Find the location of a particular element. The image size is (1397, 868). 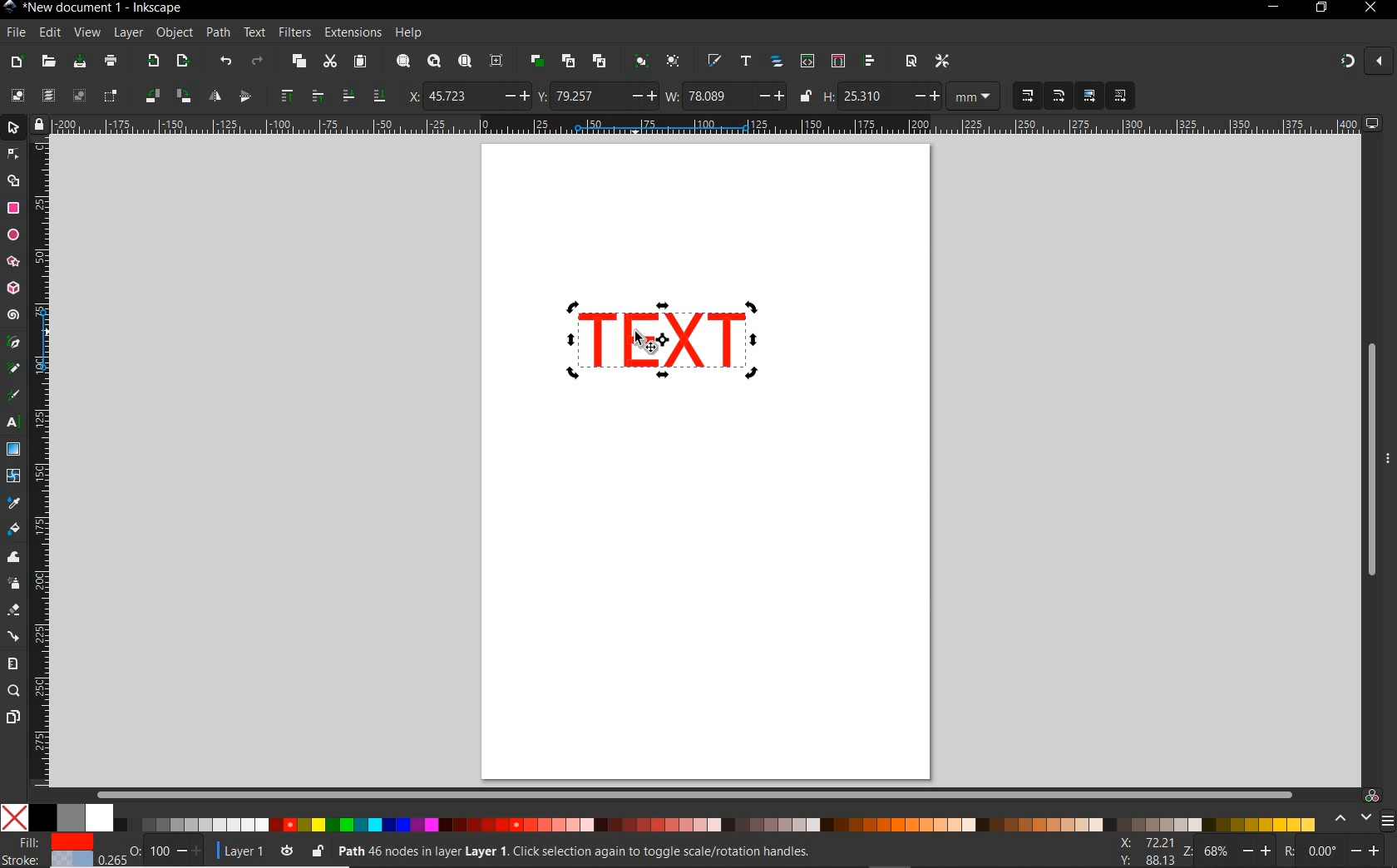

ZOOM SELECTION is located at coordinates (402, 62).